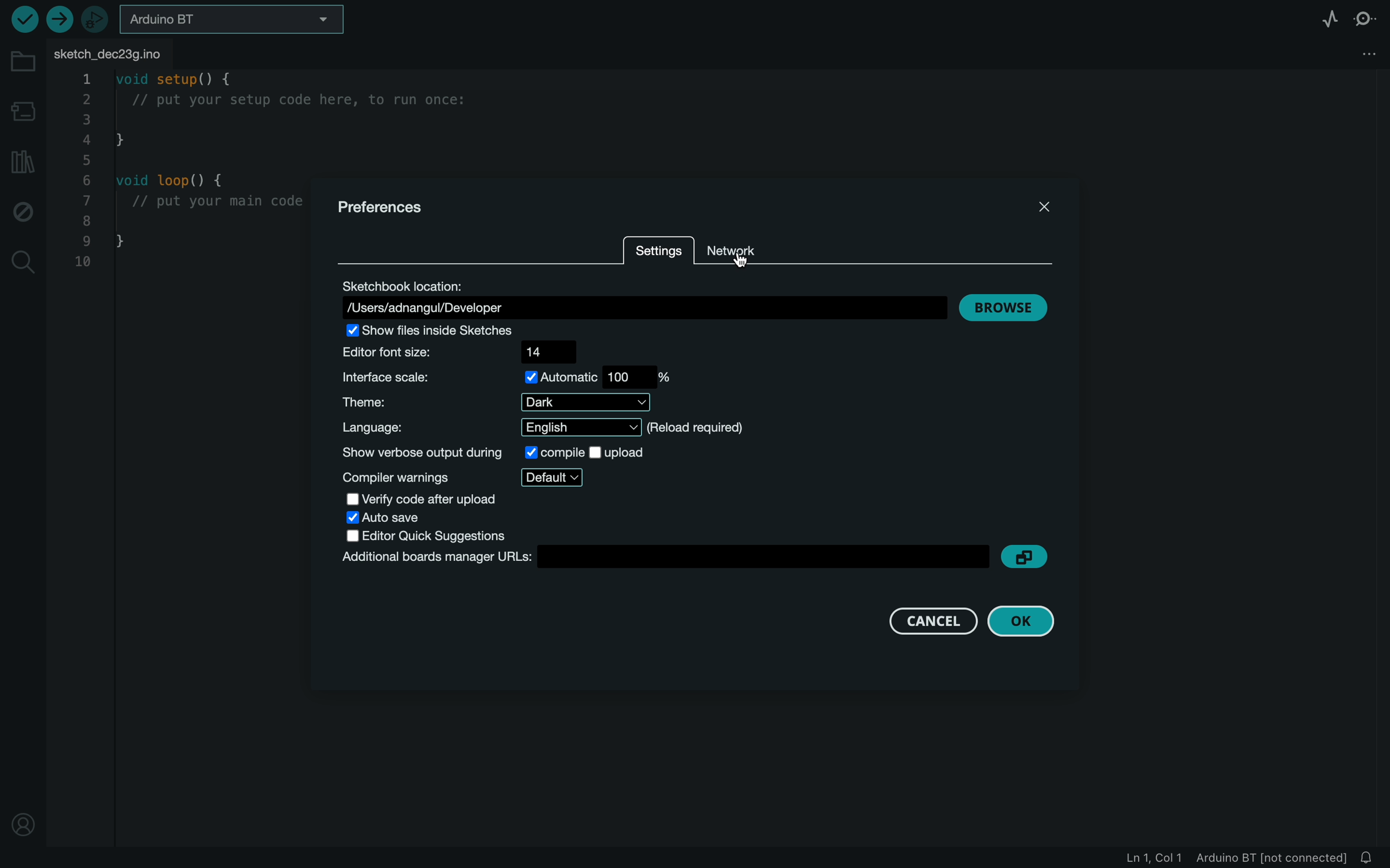  I want to click on search, so click(22, 263).